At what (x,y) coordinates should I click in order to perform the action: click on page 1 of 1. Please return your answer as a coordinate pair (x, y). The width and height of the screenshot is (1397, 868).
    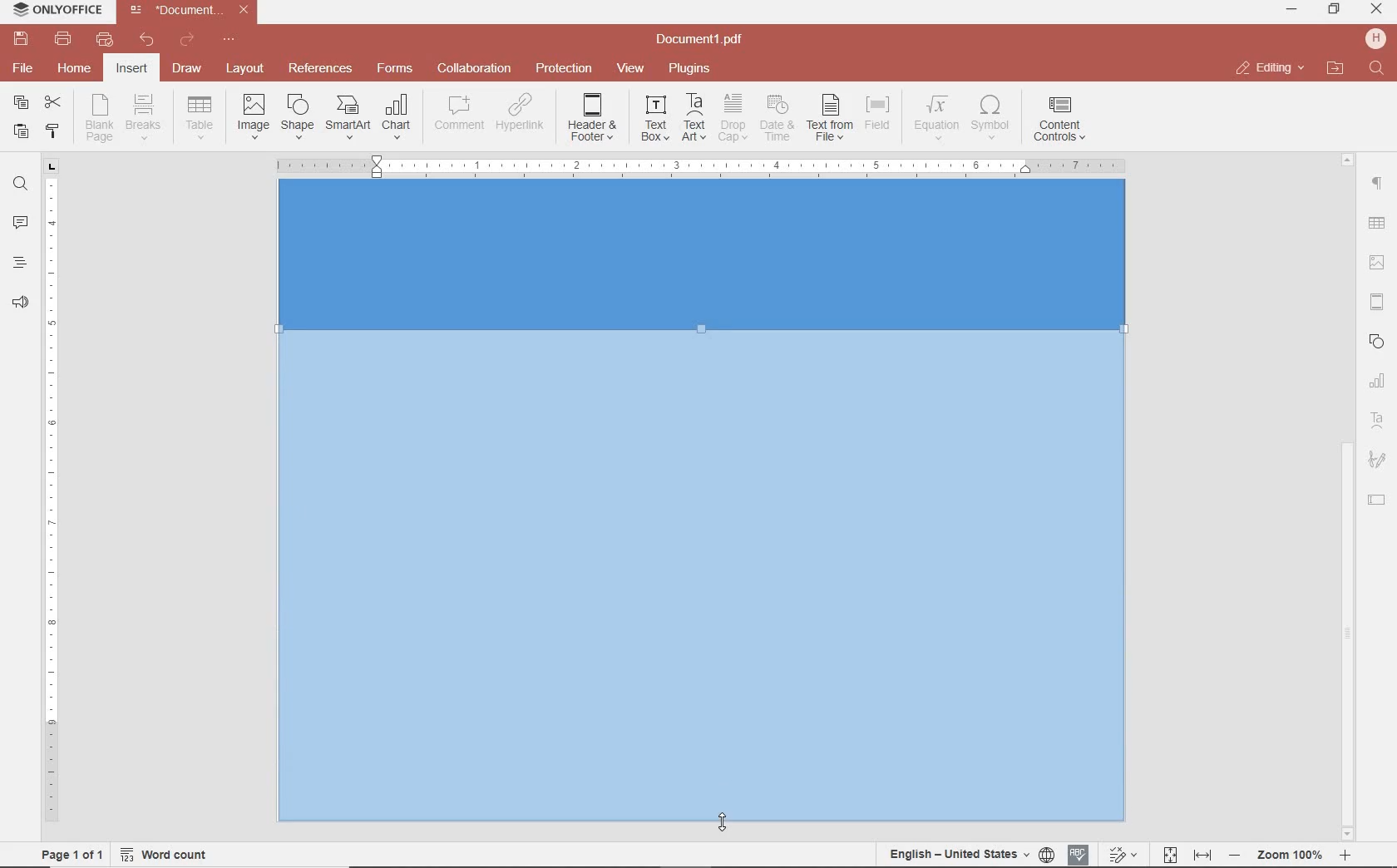
    Looking at the image, I should click on (69, 853).